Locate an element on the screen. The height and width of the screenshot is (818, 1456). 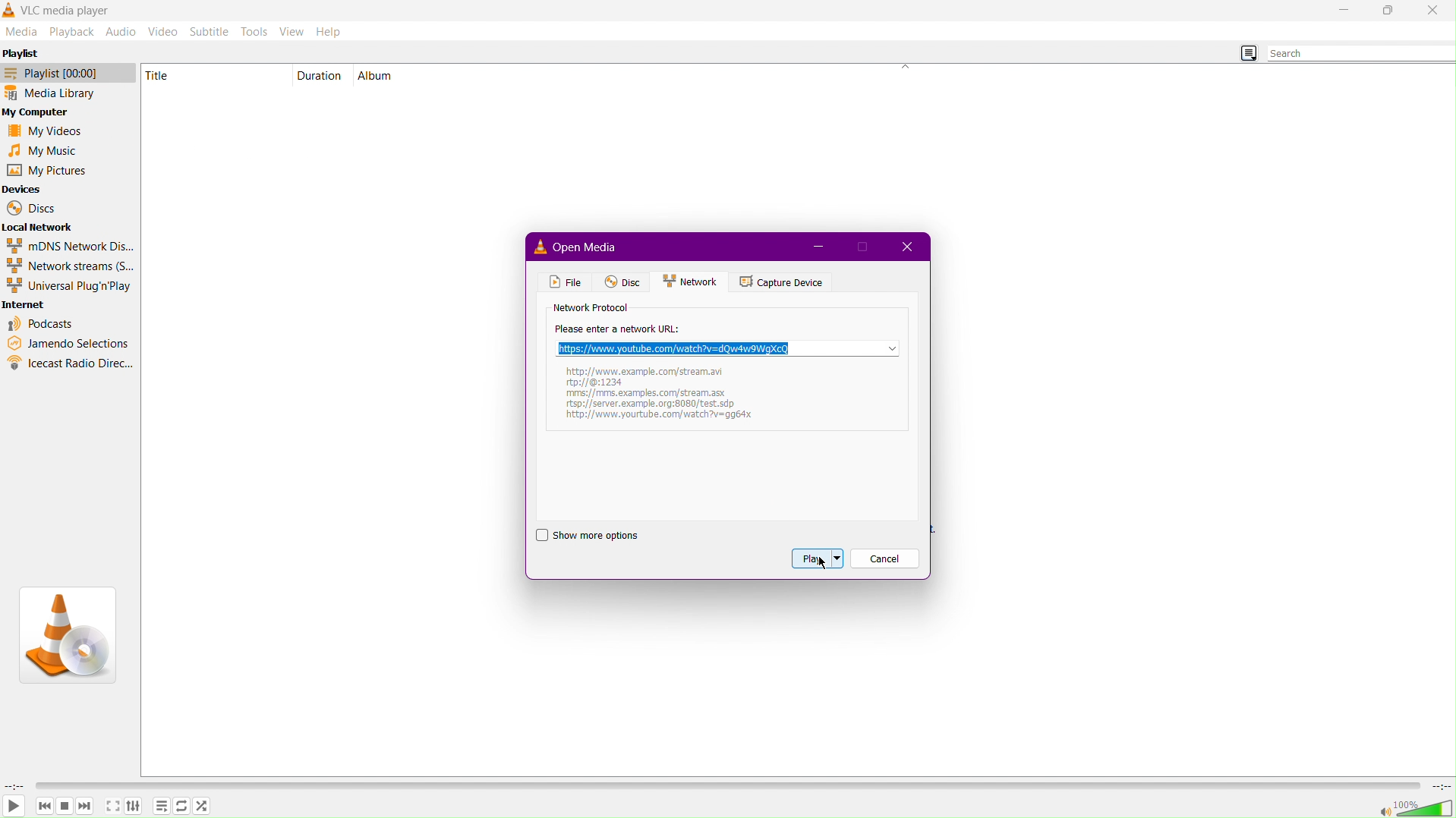
Audio is located at coordinates (121, 30).